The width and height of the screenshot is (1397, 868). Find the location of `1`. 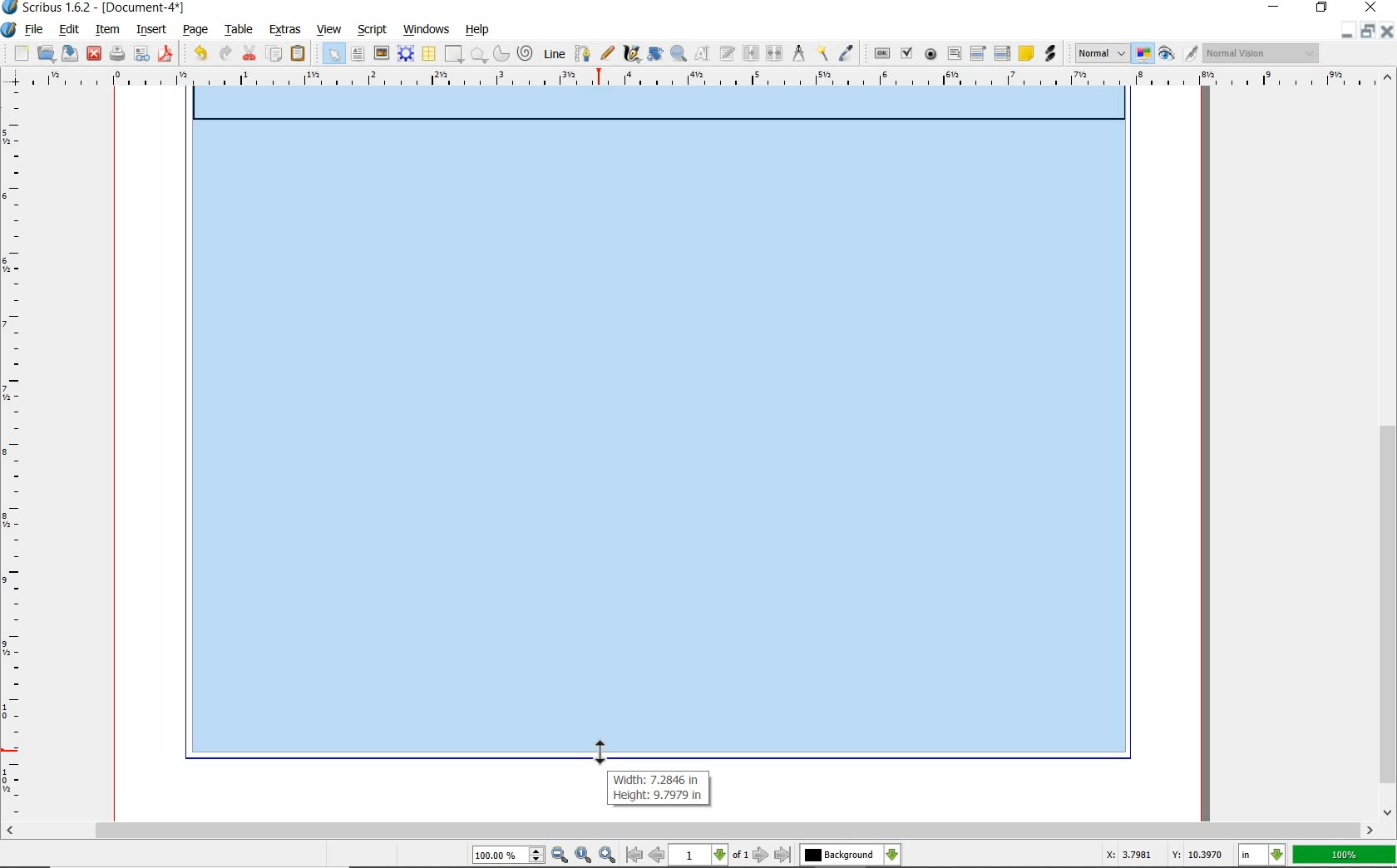

1 is located at coordinates (699, 856).